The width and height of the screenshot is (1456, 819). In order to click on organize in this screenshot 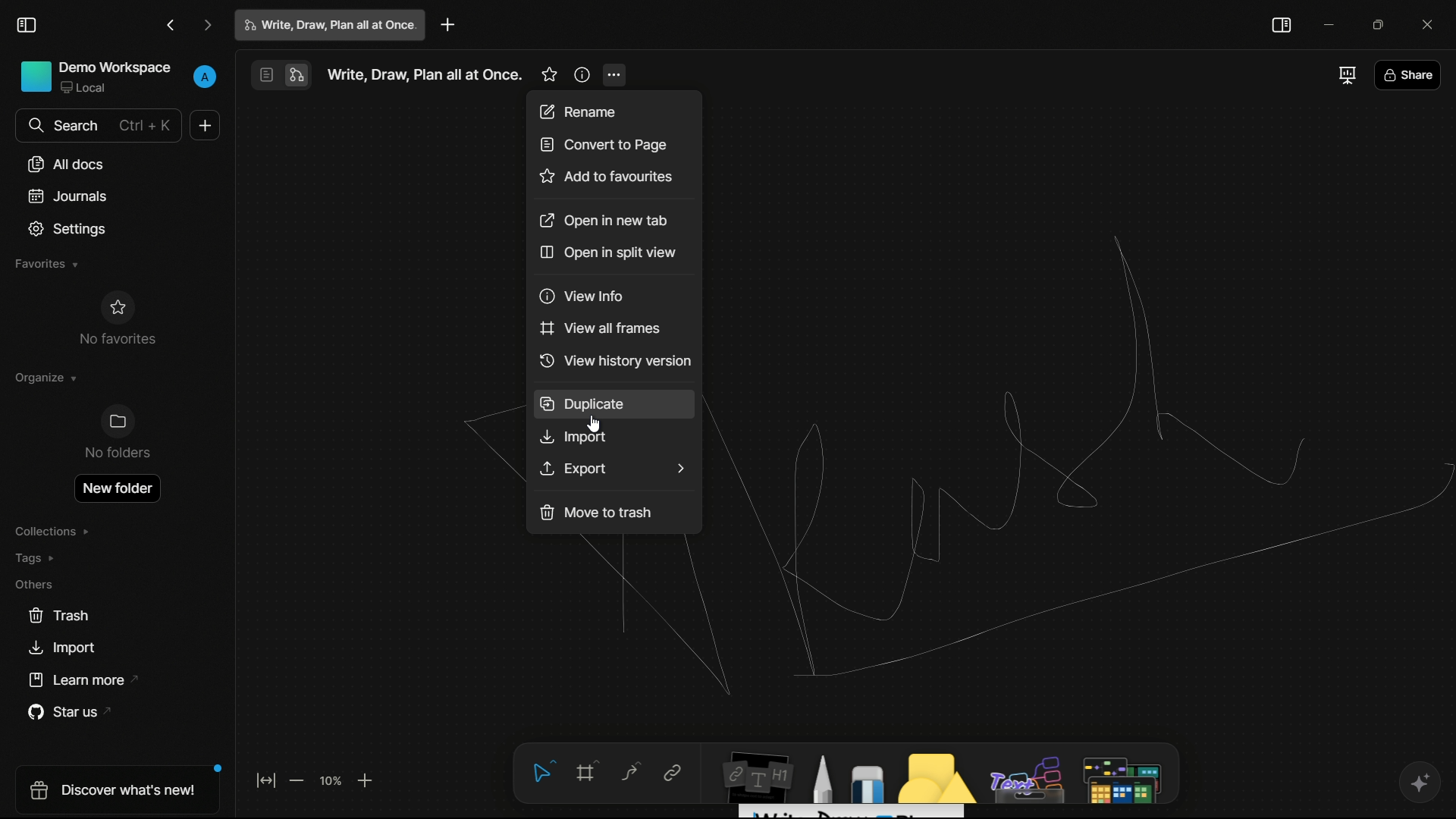, I will do `click(44, 378)`.